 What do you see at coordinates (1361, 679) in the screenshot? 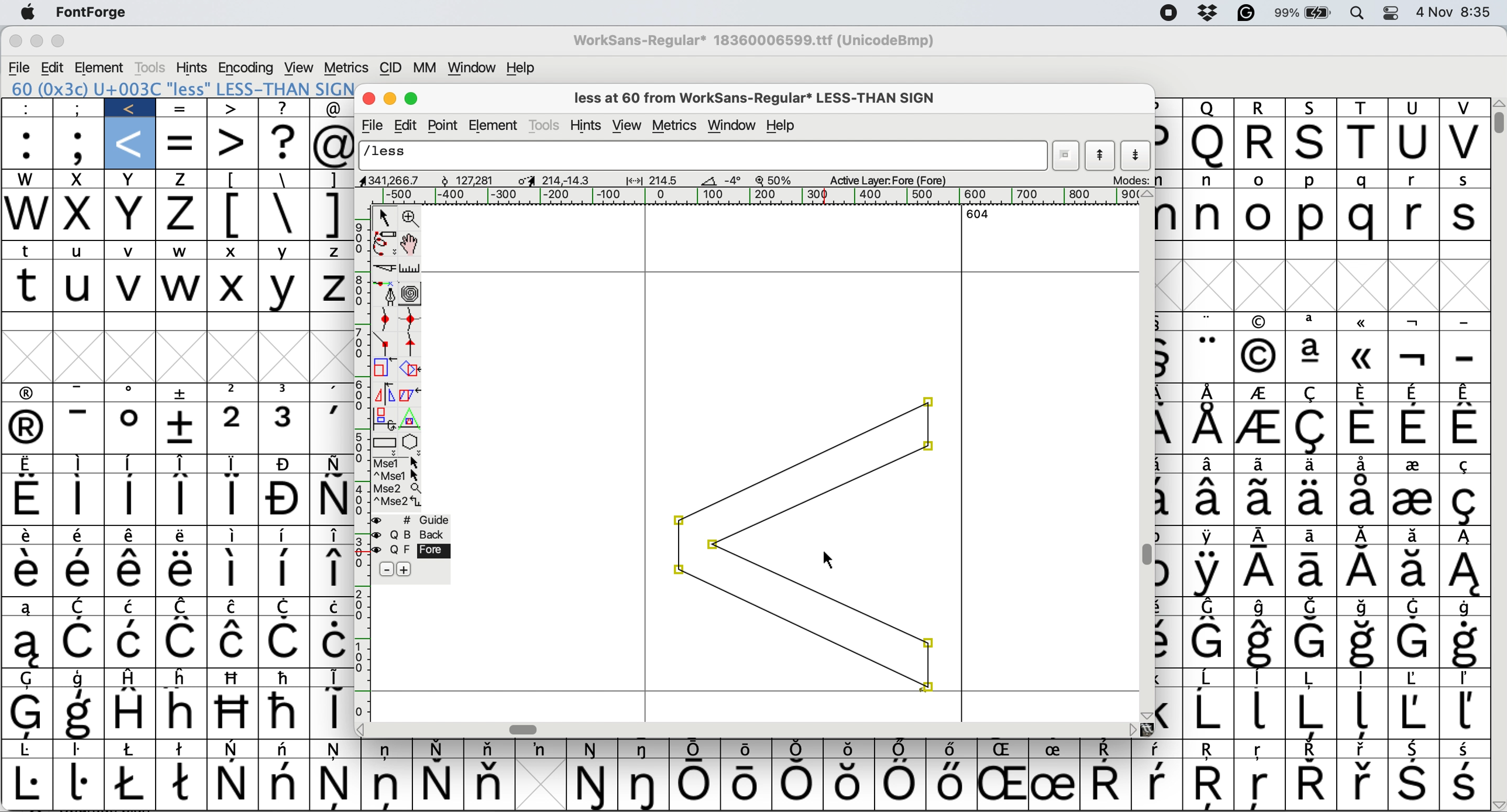
I see `Symbol` at bounding box center [1361, 679].